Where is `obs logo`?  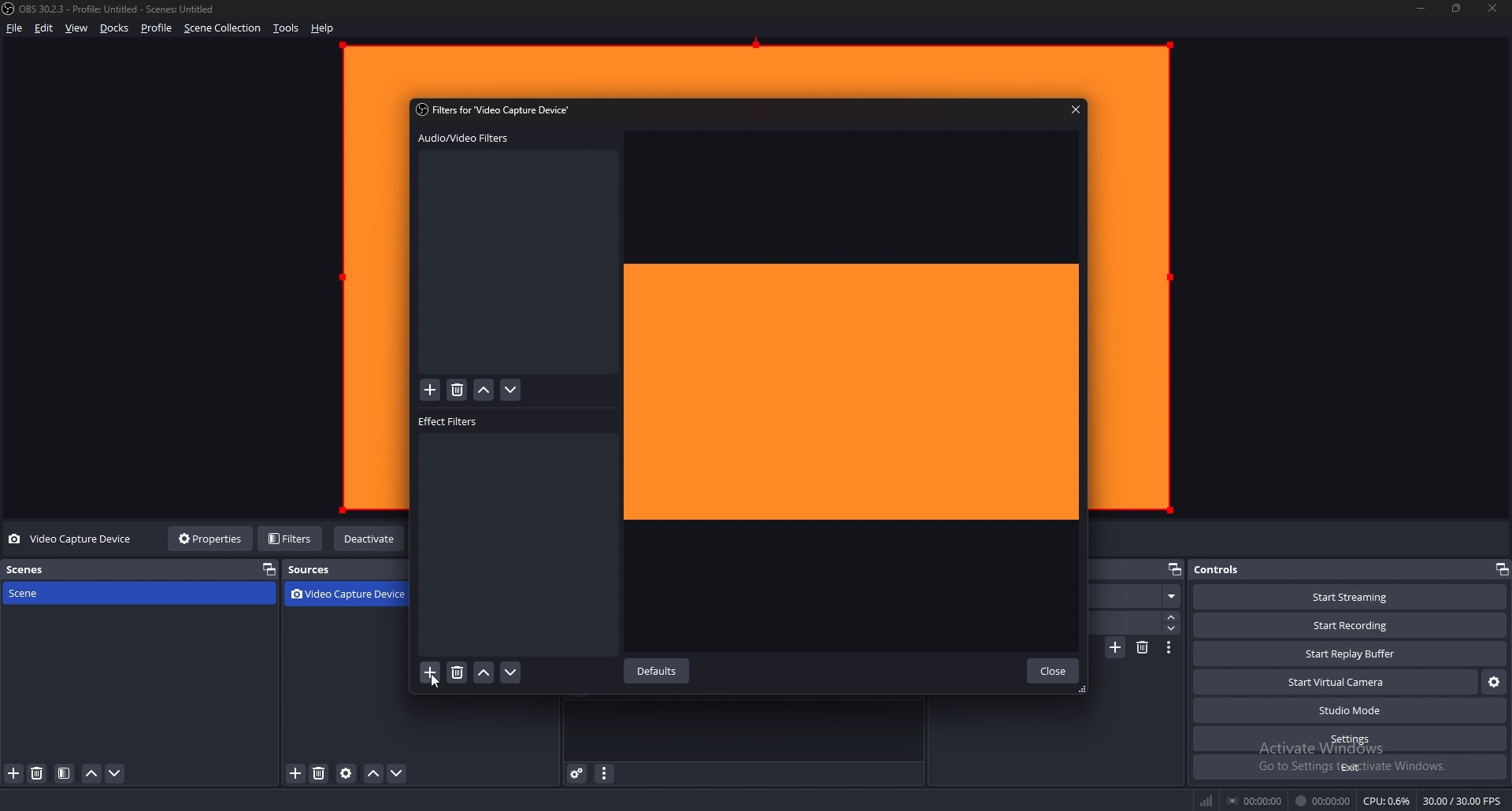
obs logo is located at coordinates (11, 10).